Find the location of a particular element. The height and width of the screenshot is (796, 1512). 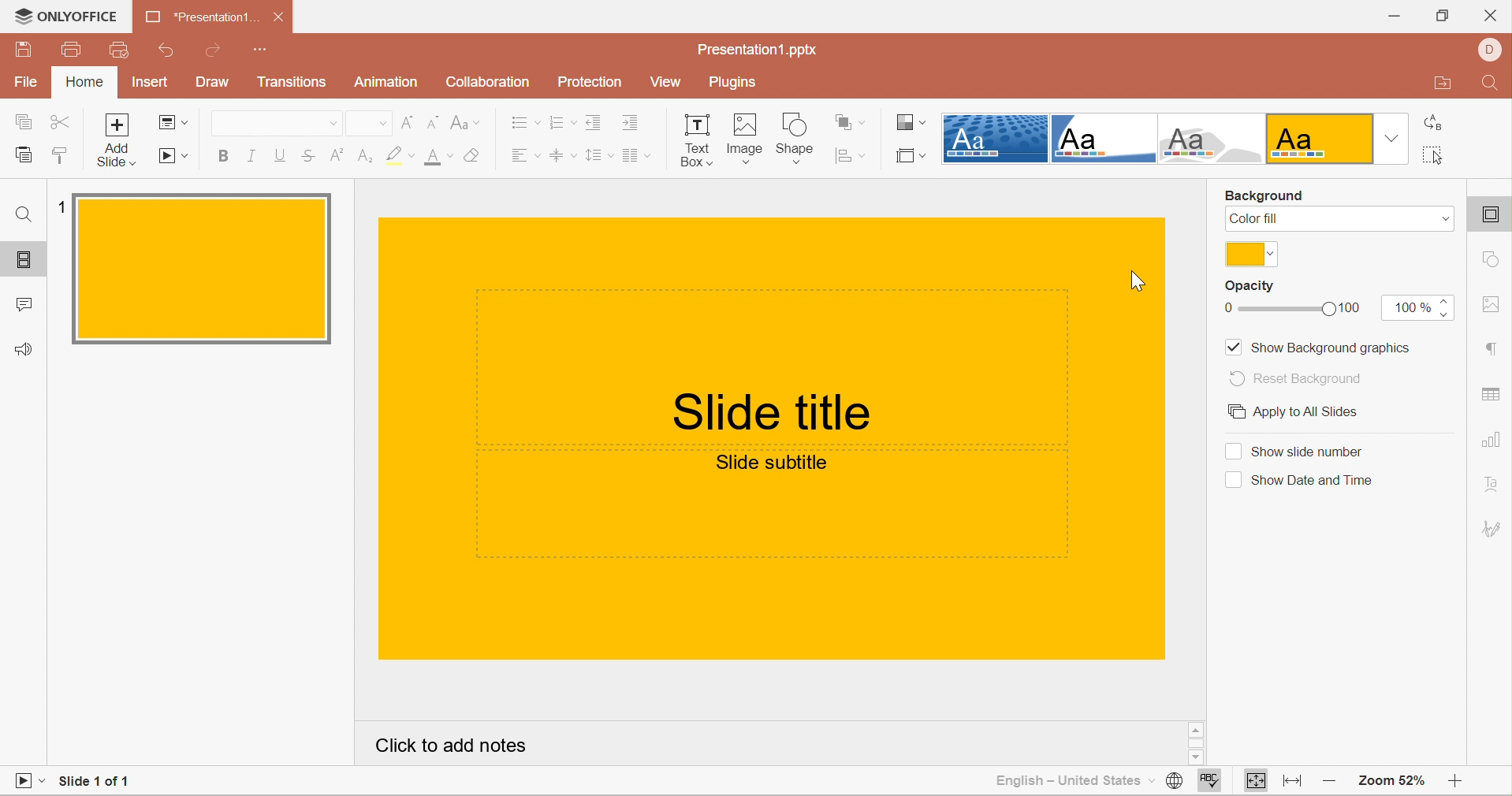

Scroll Bar is located at coordinates (1456, 746).